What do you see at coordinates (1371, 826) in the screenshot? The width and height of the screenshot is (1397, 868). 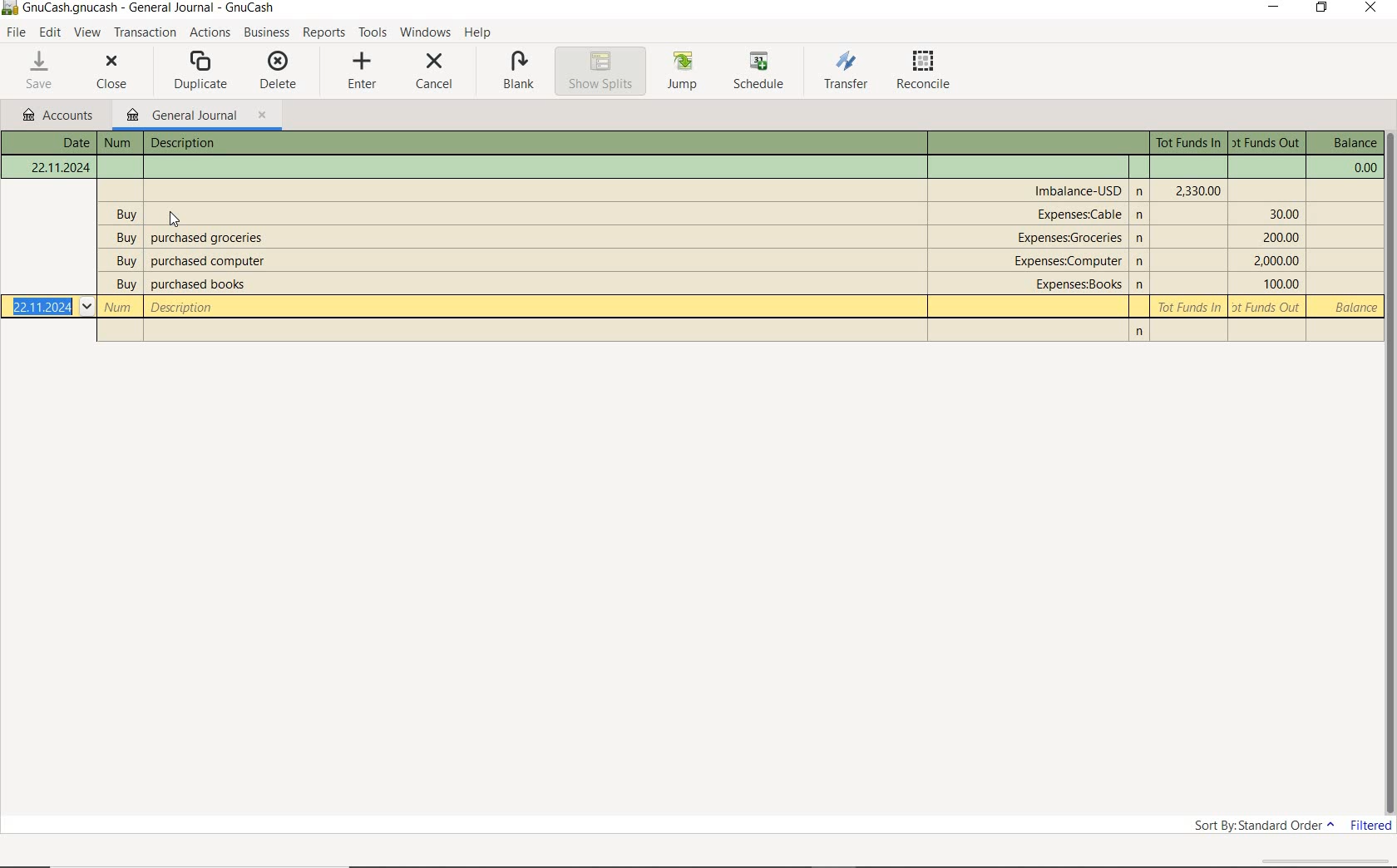 I see `filtered` at bounding box center [1371, 826].